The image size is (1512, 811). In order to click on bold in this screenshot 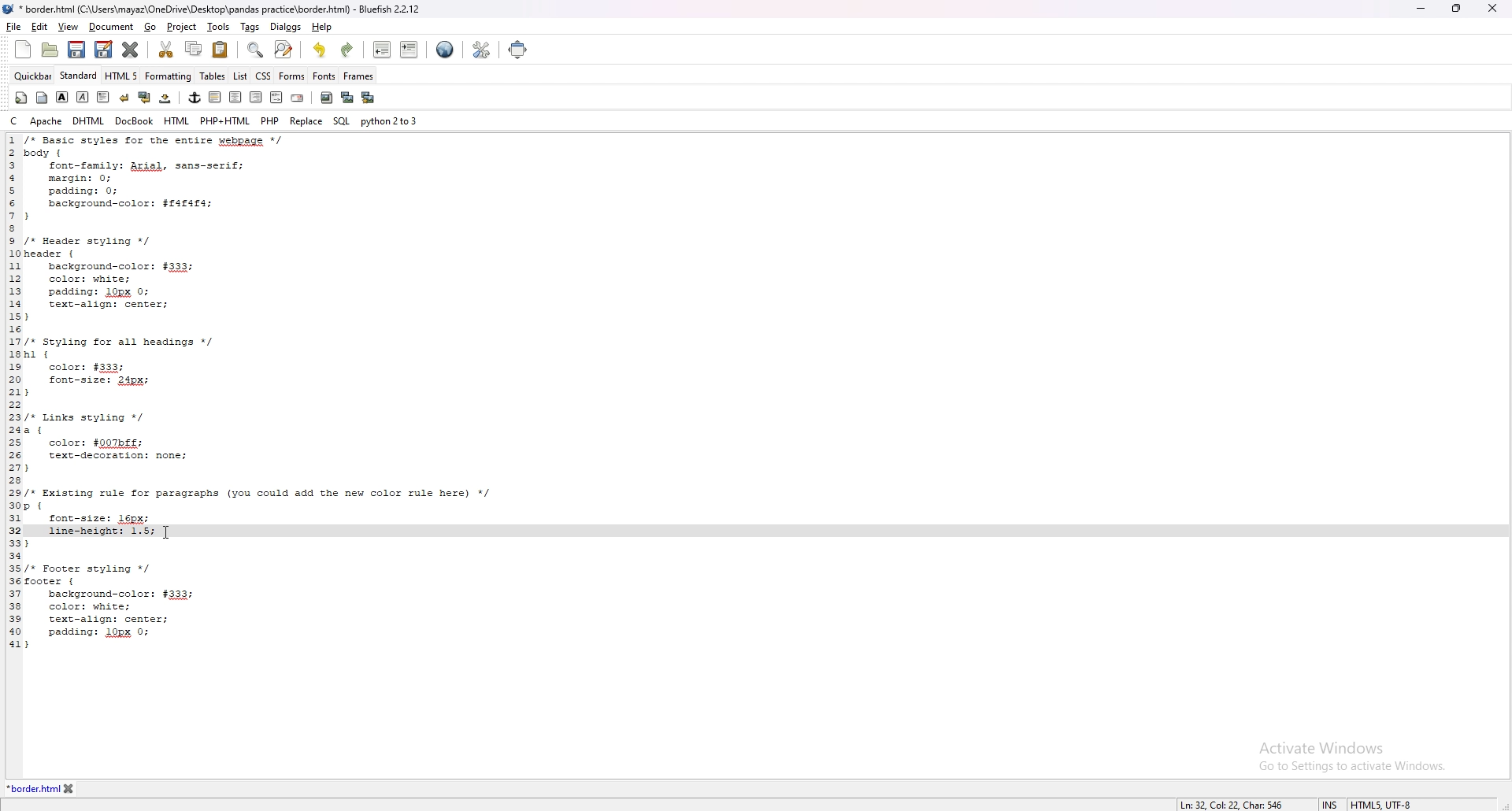, I will do `click(63, 97)`.